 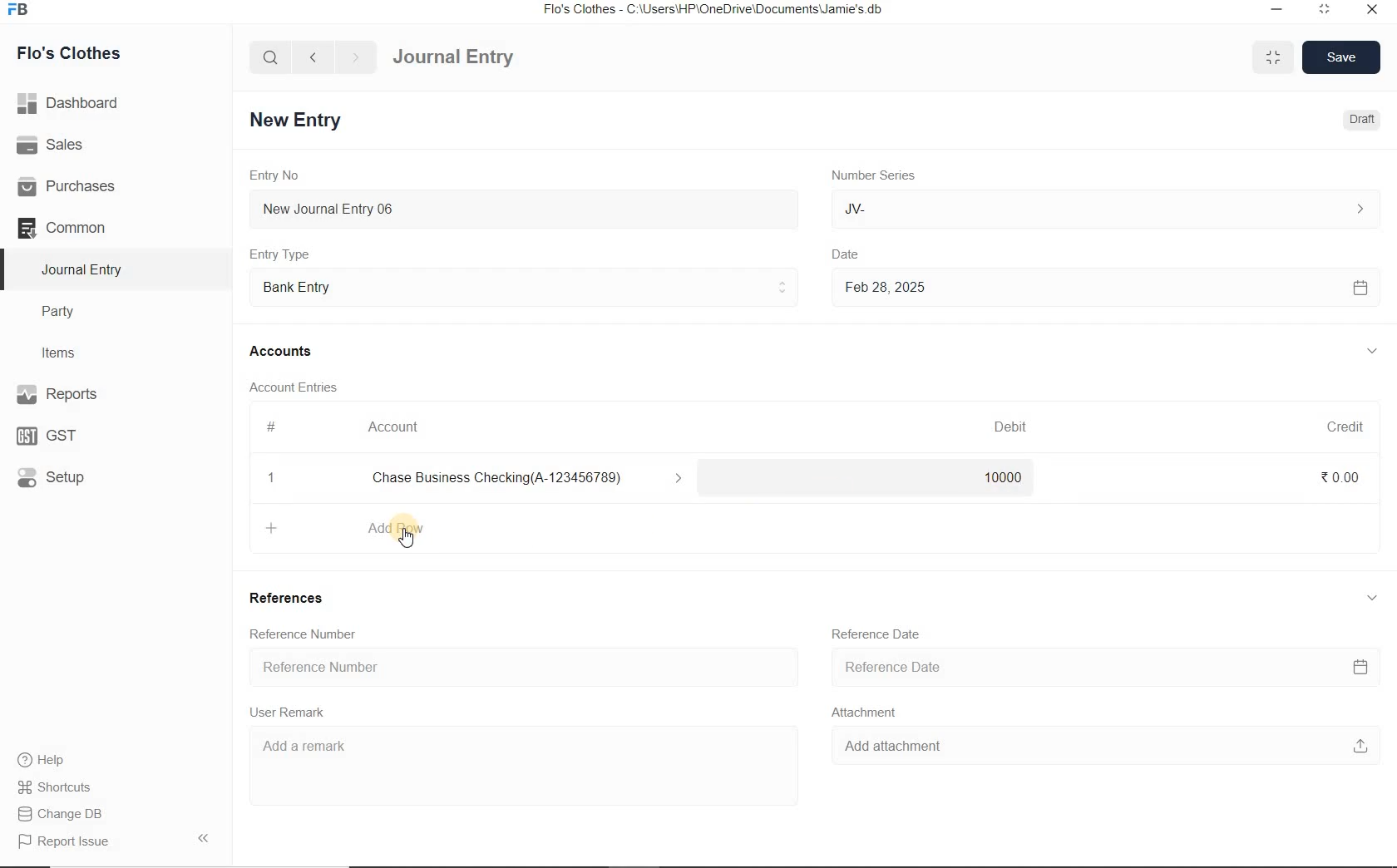 I want to click on 10000, so click(x=1000, y=481).